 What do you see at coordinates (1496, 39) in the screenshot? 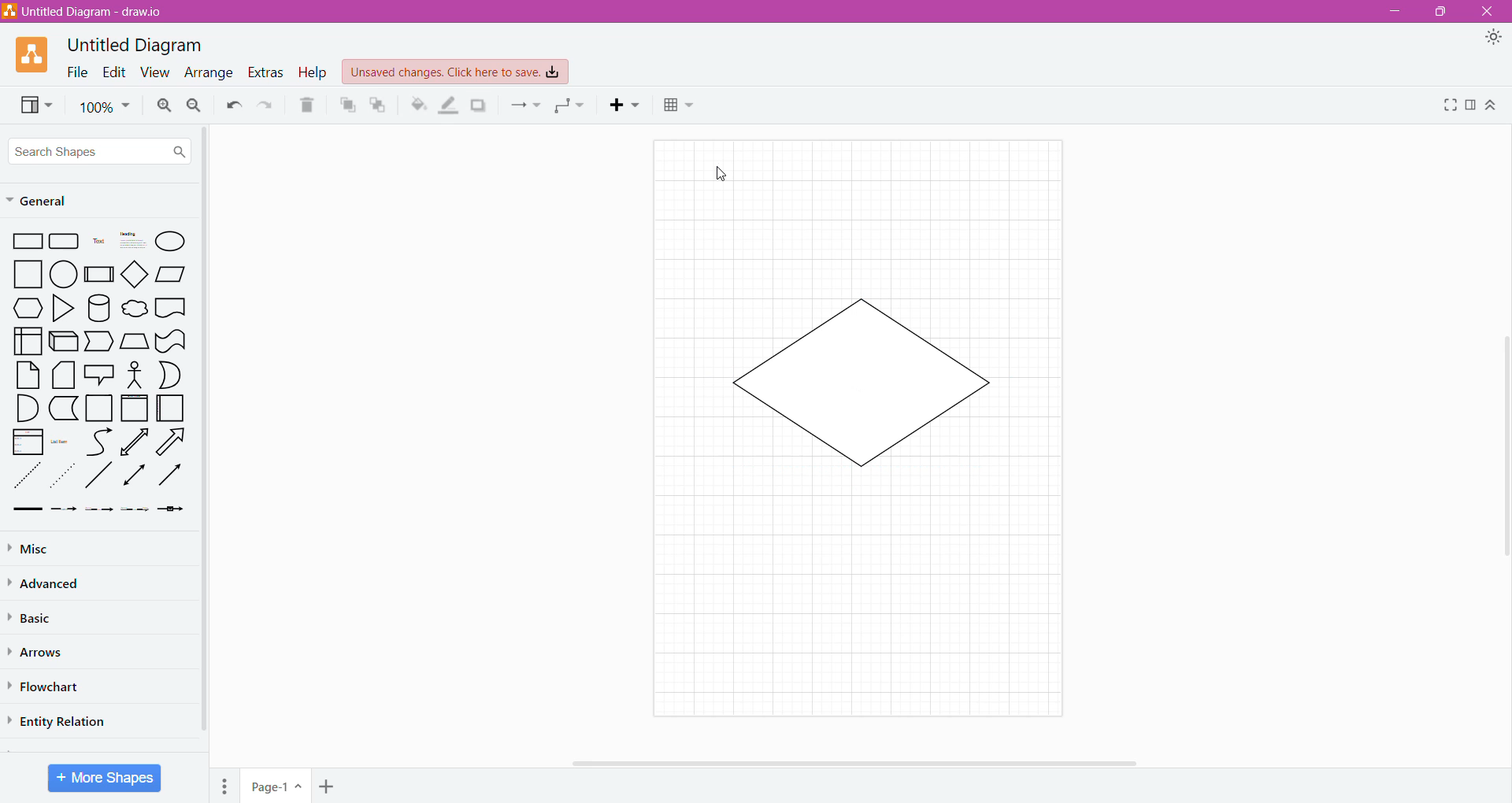
I see `Appearance` at bounding box center [1496, 39].